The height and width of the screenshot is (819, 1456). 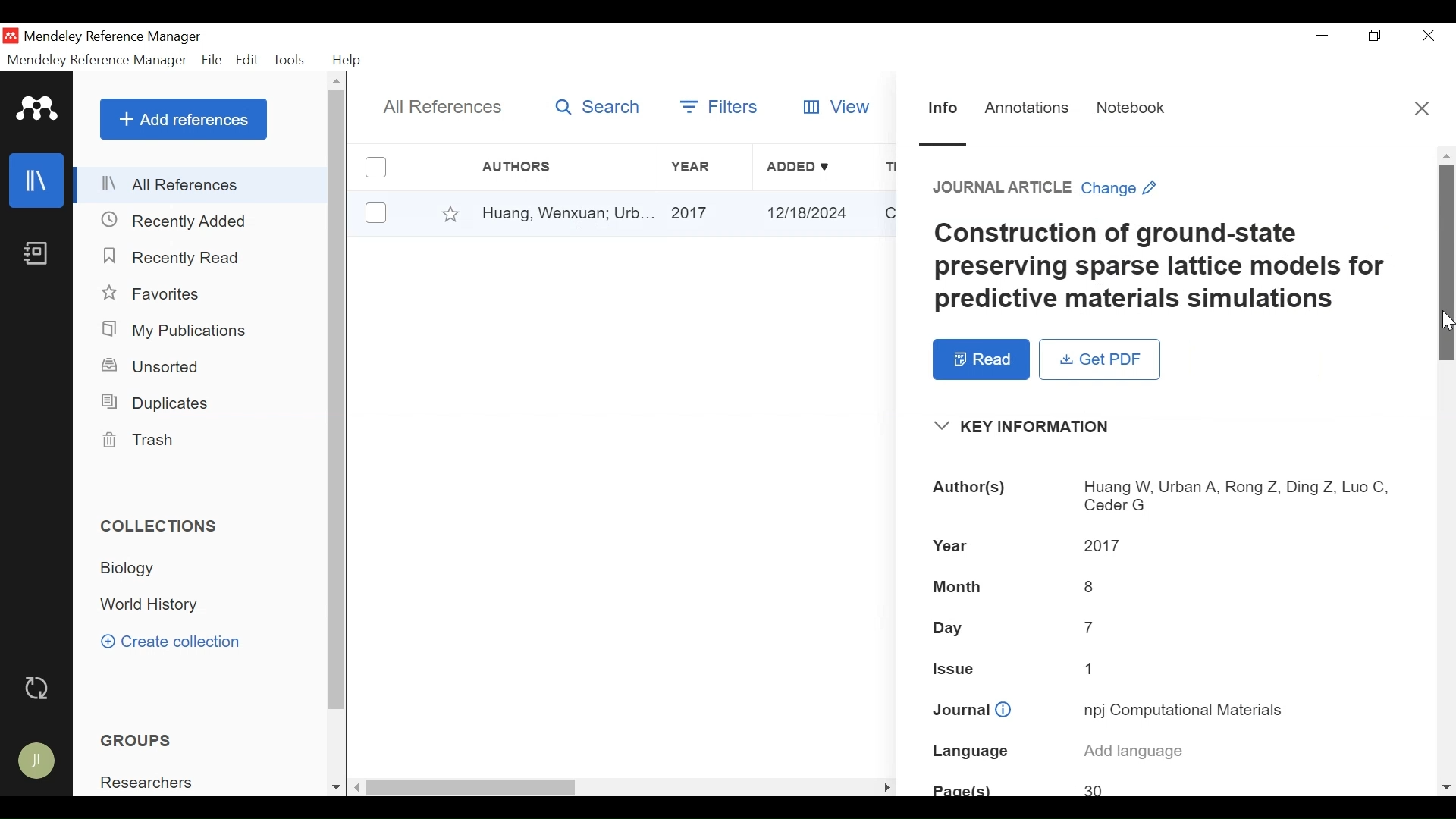 What do you see at coordinates (358, 788) in the screenshot?
I see `Scroll Left` at bounding box center [358, 788].